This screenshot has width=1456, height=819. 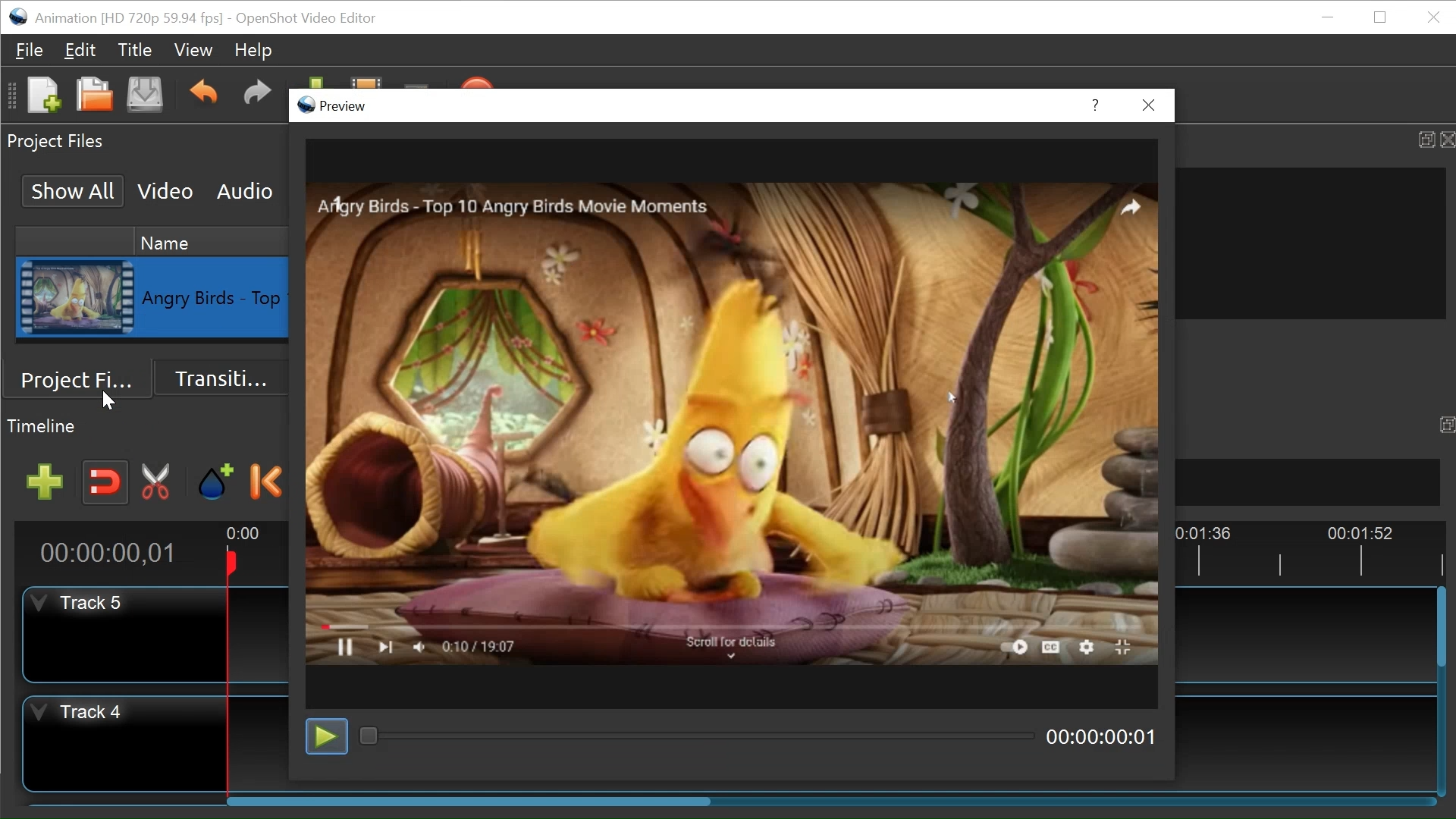 I want to click on Video, so click(x=165, y=190).